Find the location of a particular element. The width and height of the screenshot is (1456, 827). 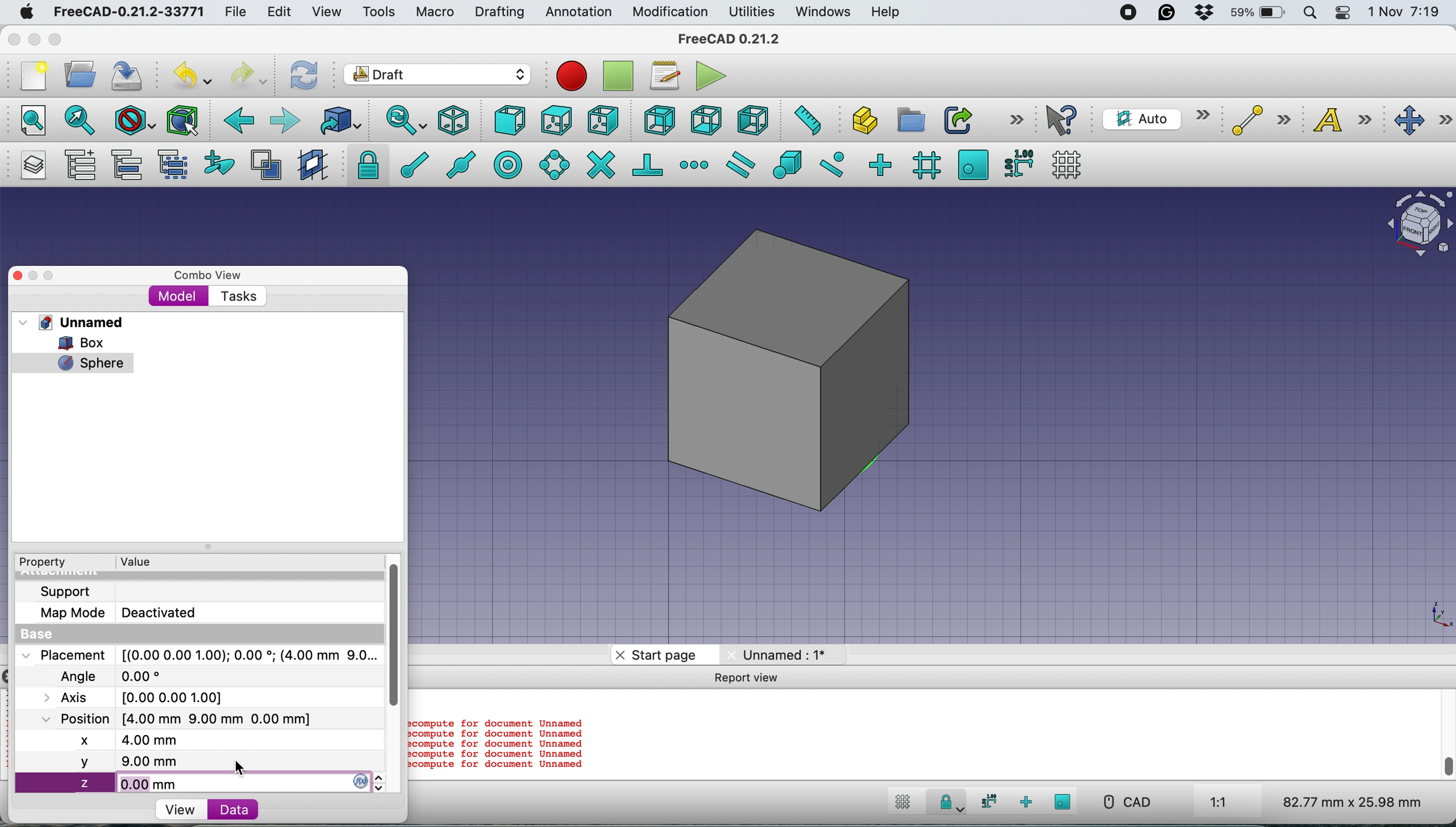

edit is located at coordinates (281, 13).